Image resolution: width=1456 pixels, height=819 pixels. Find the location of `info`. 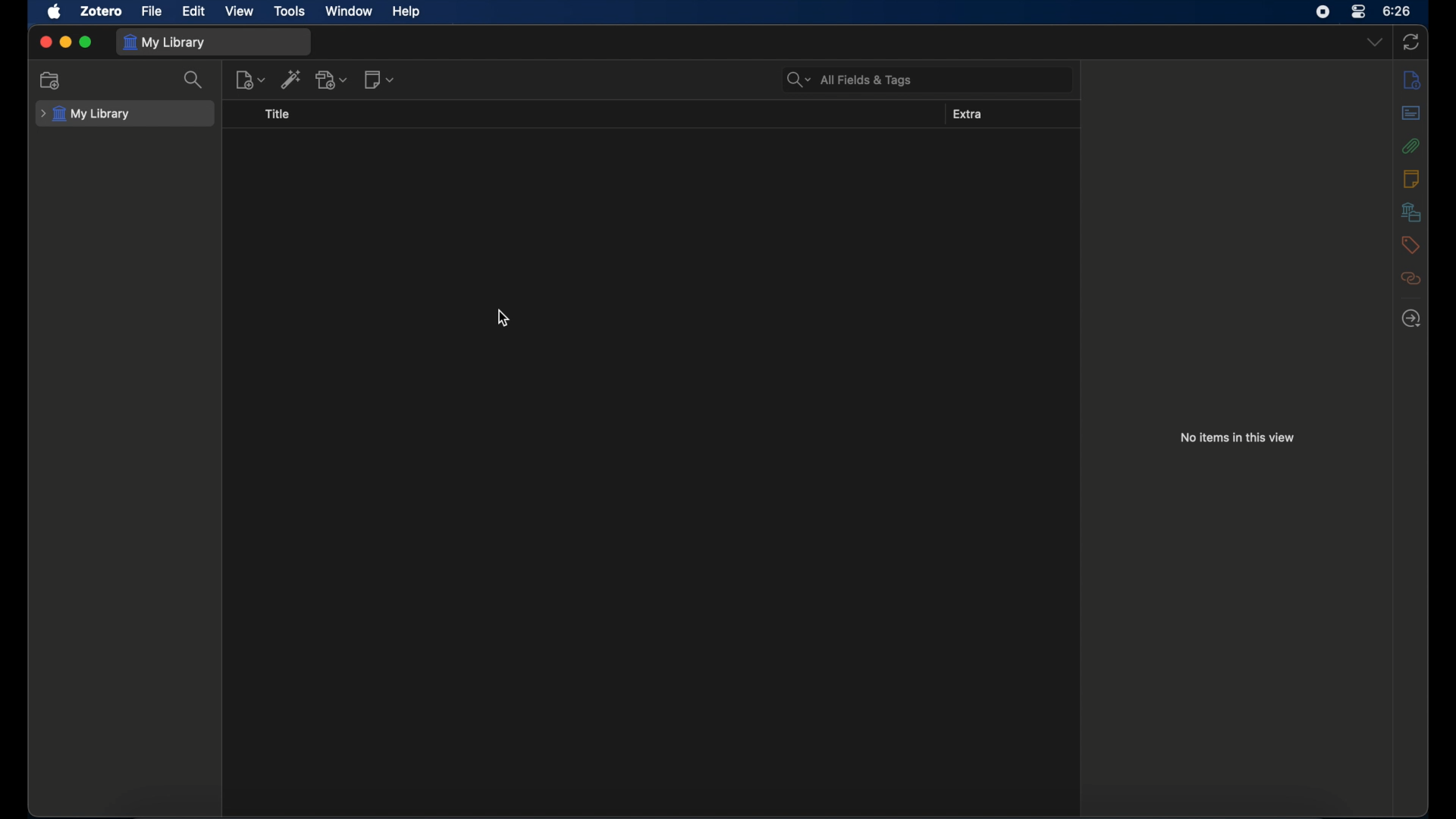

info is located at coordinates (1411, 79).